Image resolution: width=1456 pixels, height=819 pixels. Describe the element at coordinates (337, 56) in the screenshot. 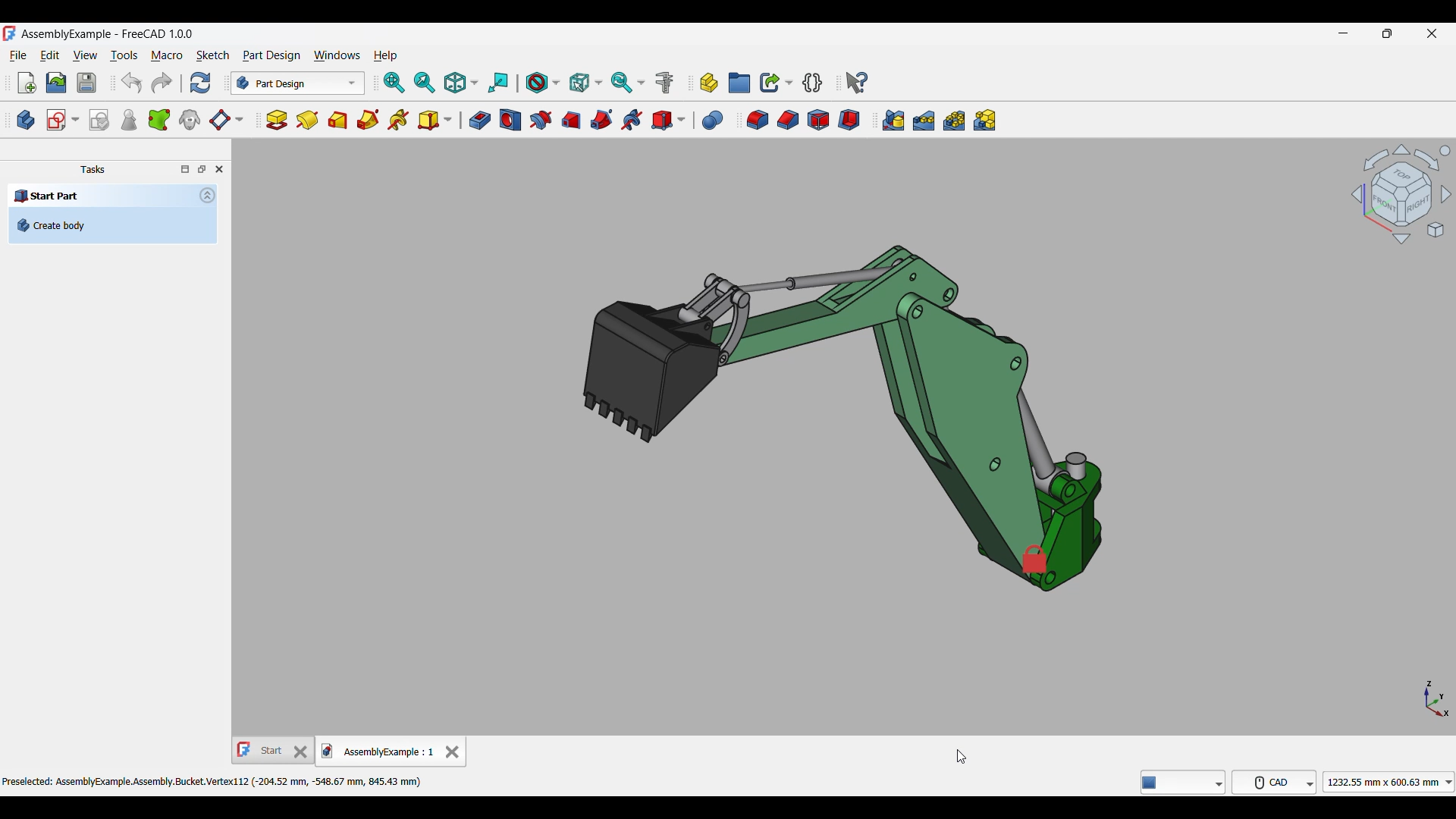

I see `Windows menu` at that location.